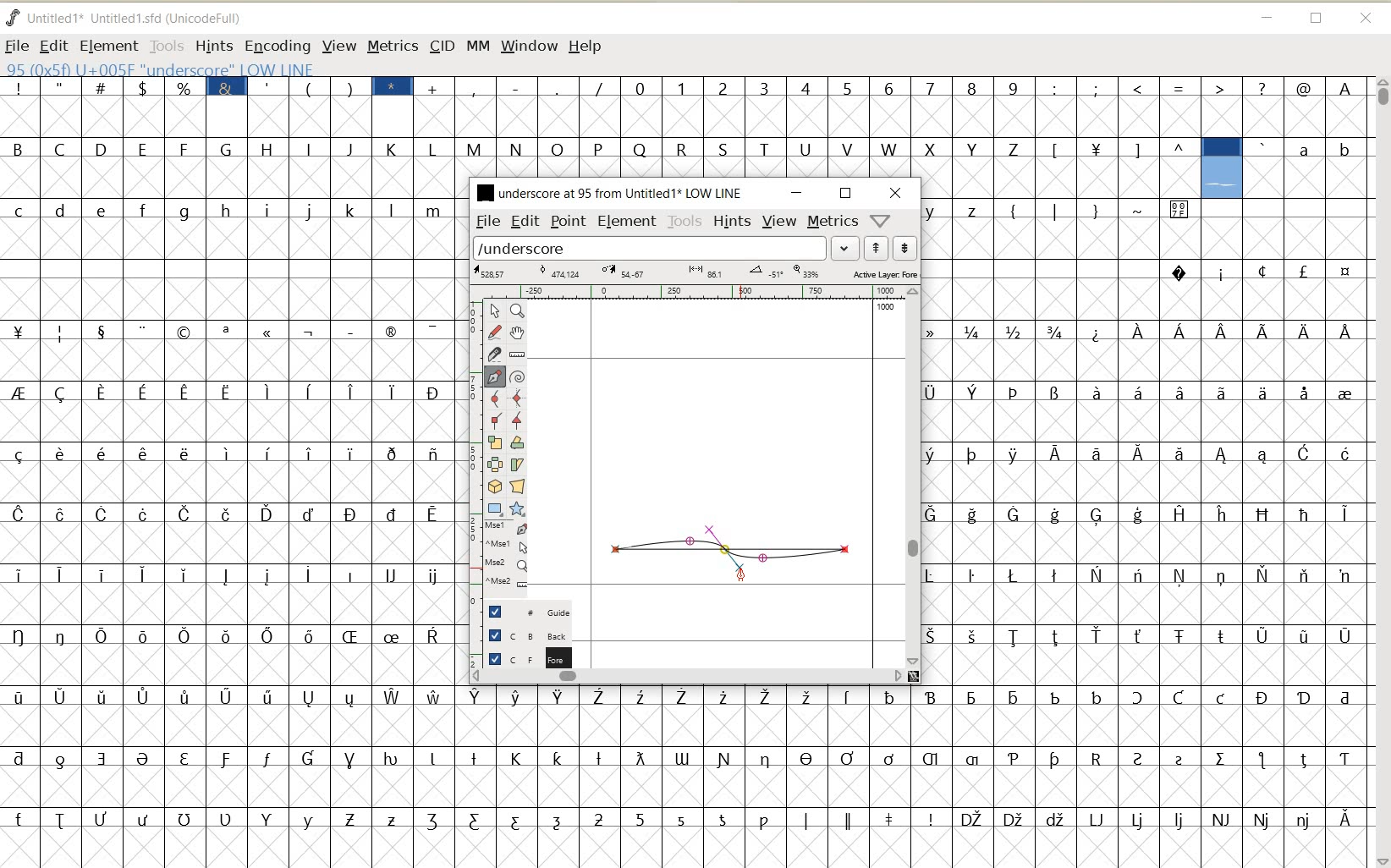  Describe the element at coordinates (587, 47) in the screenshot. I see `HELP` at that location.